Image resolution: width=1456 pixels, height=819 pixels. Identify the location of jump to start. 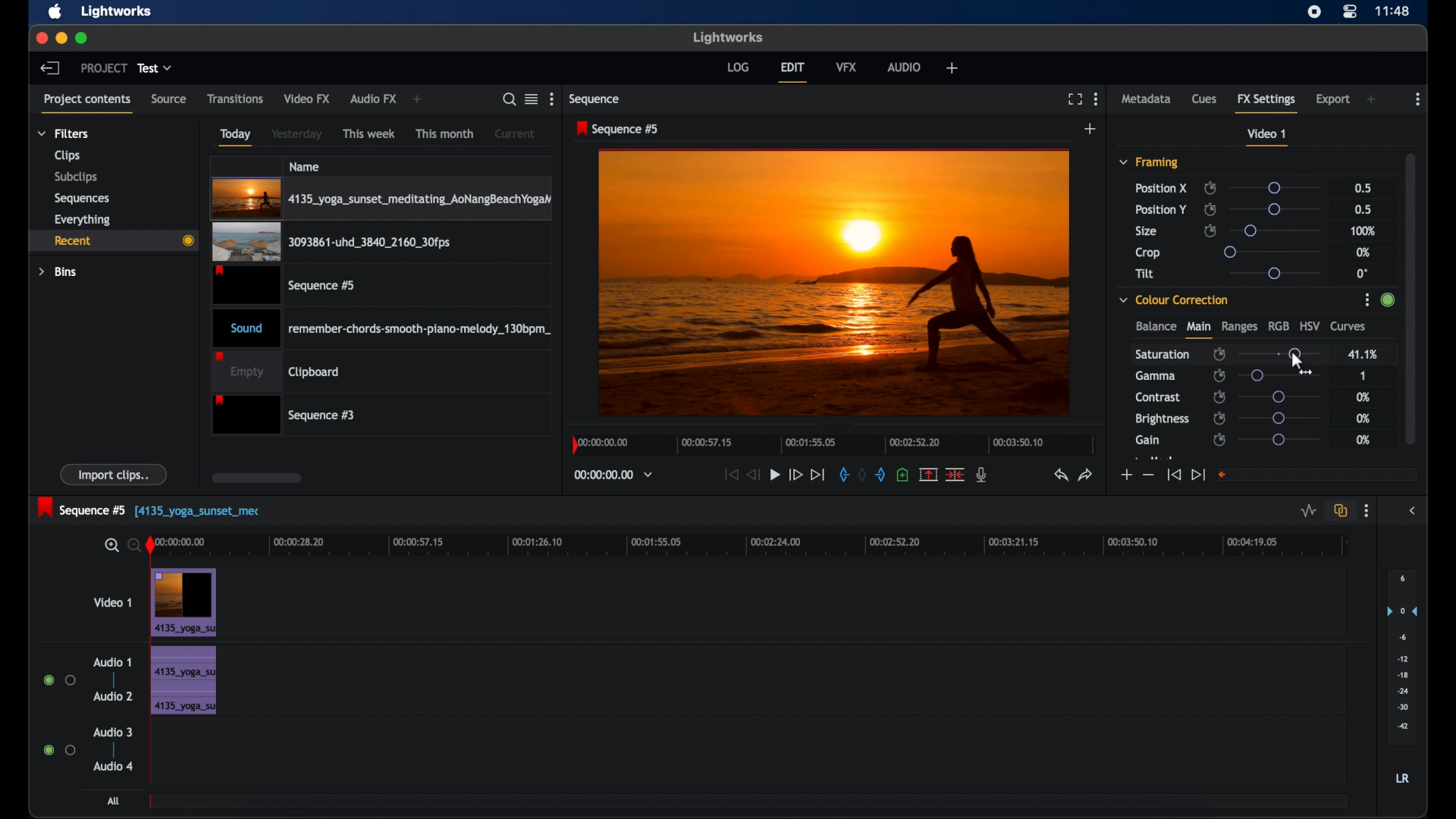
(731, 474).